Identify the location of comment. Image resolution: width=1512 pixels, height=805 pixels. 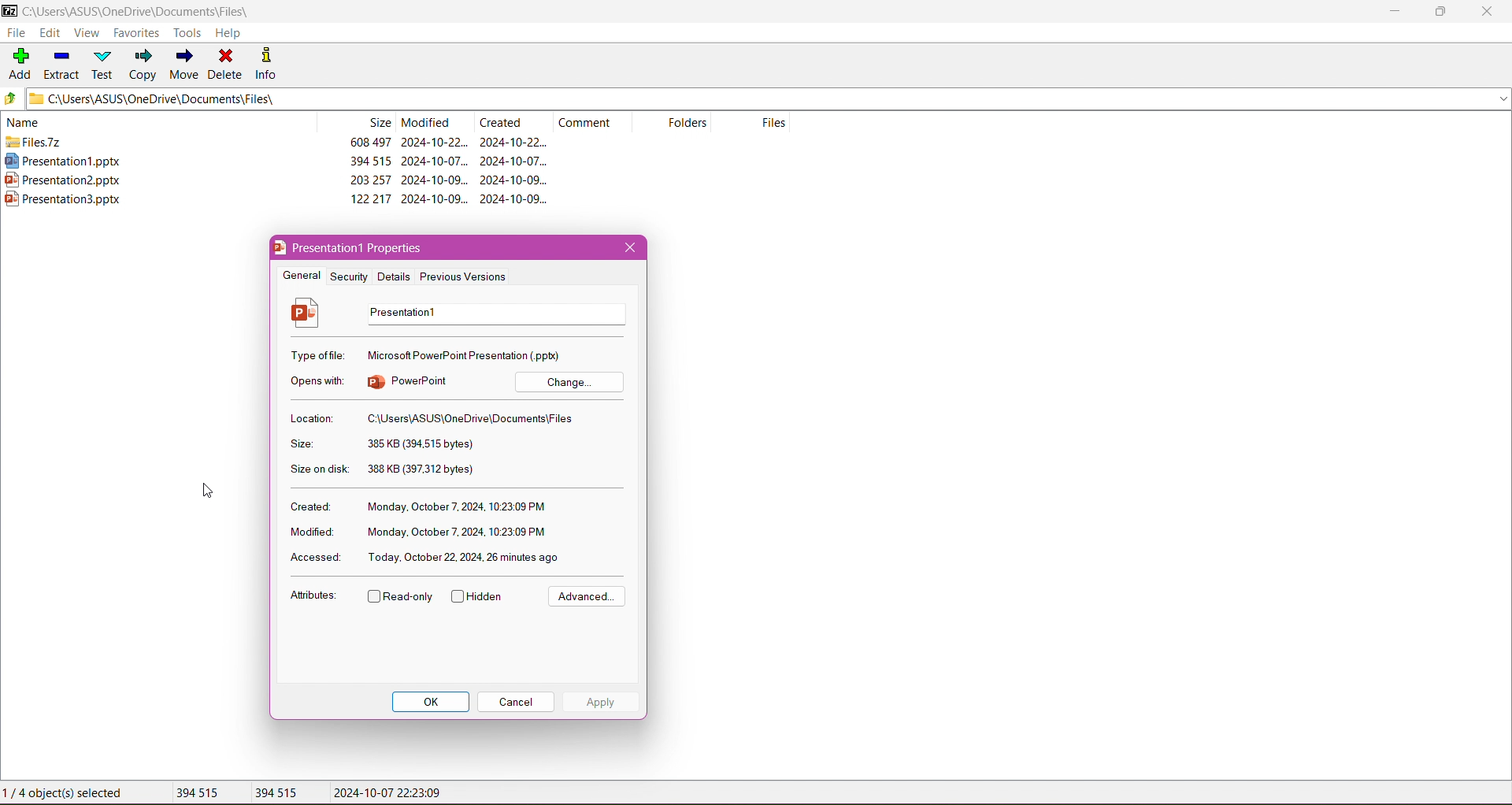
(585, 122).